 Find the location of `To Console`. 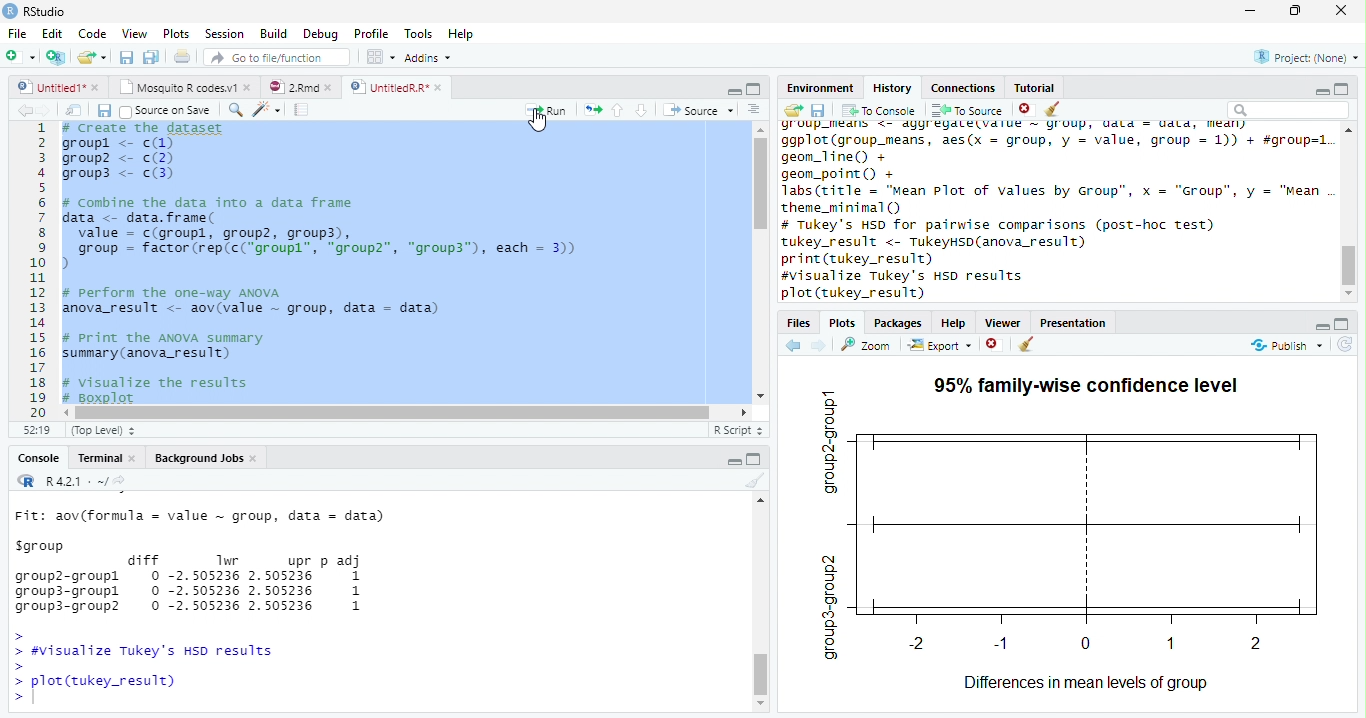

To Console is located at coordinates (879, 110).